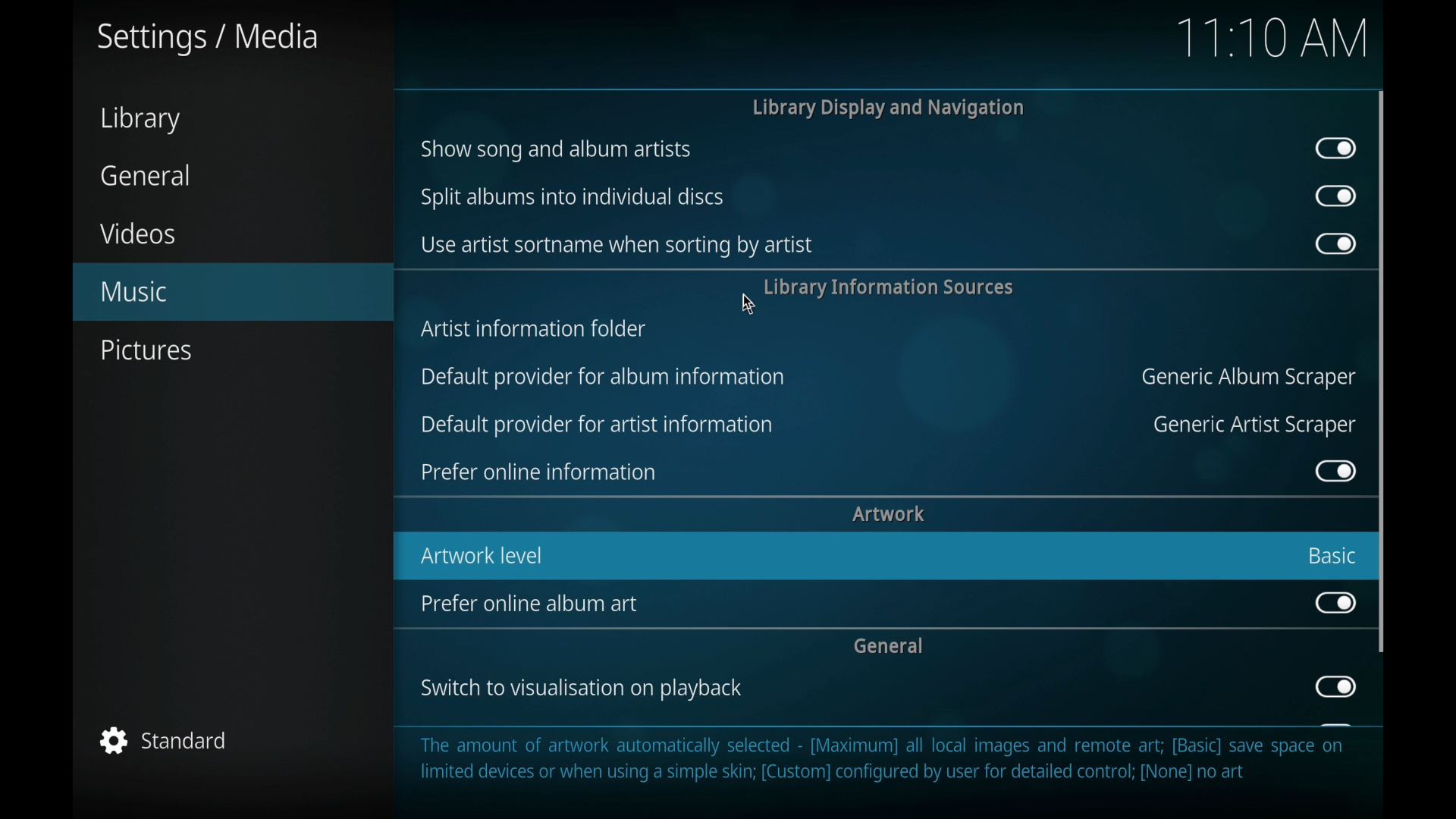 The image size is (1456, 819). What do you see at coordinates (145, 174) in the screenshot?
I see `general` at bounding box center [145, 174].